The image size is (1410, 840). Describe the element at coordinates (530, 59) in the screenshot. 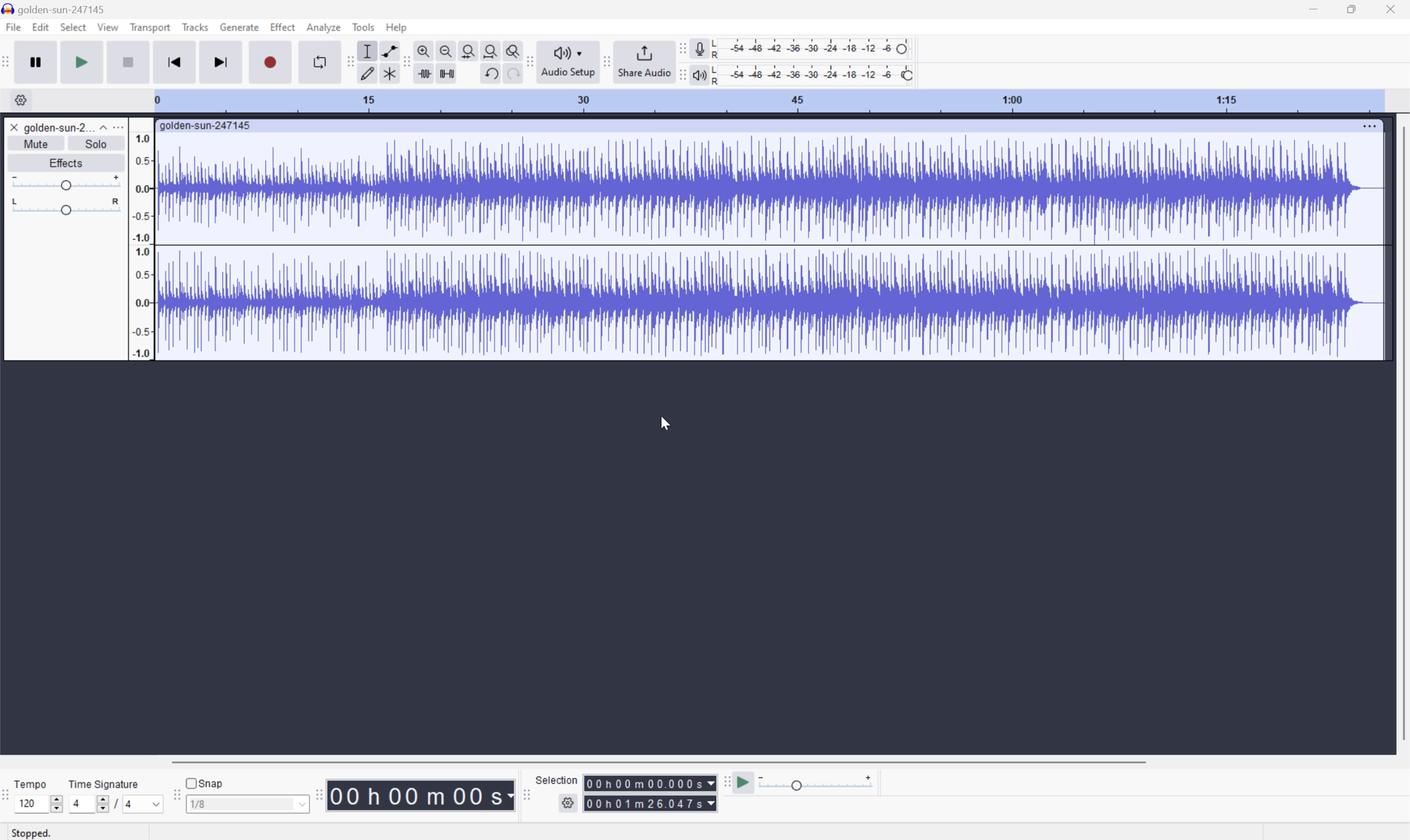

I see `Audacity audio share toolbar` at that location.